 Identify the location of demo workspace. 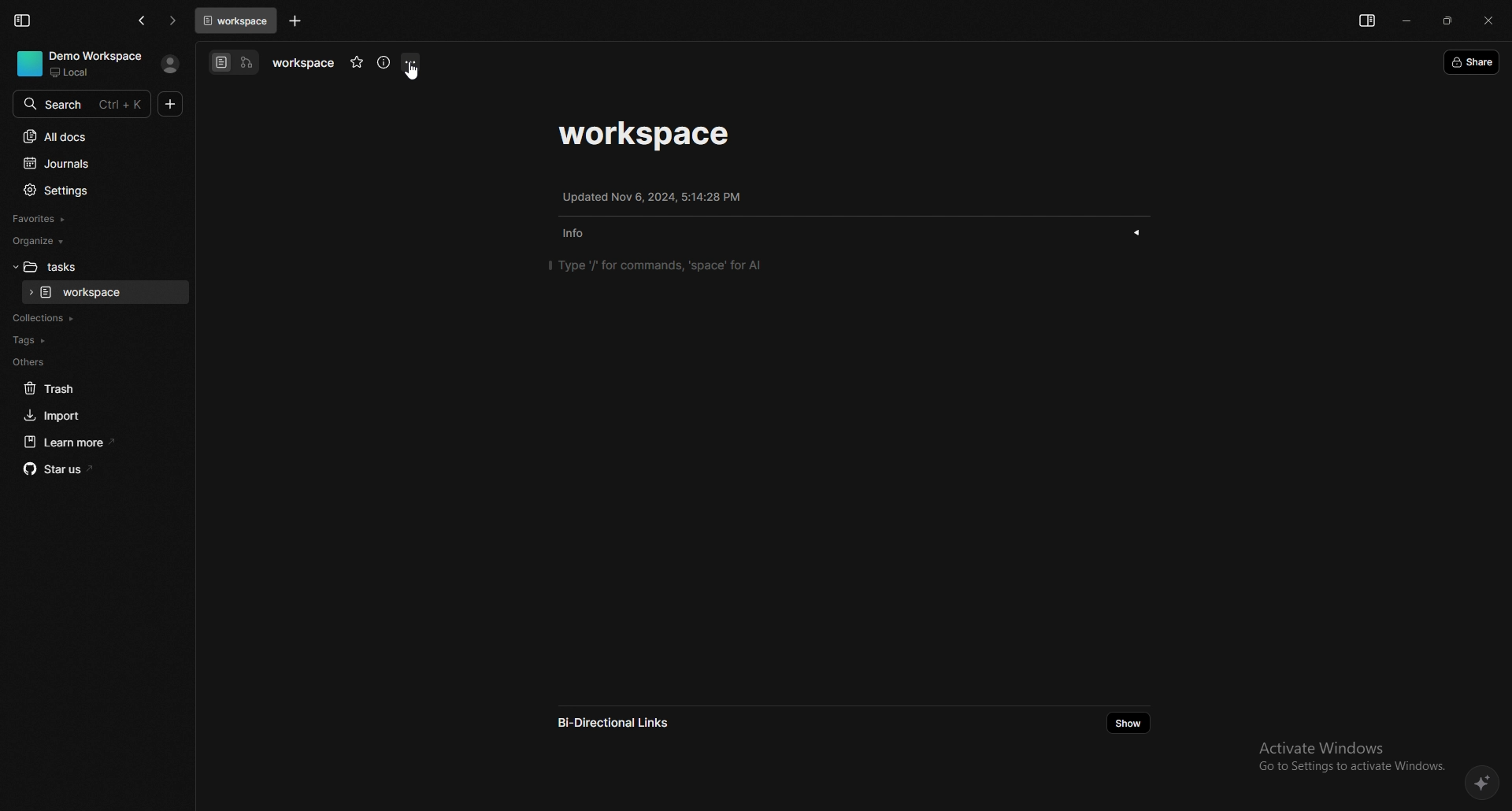
(83, 63).